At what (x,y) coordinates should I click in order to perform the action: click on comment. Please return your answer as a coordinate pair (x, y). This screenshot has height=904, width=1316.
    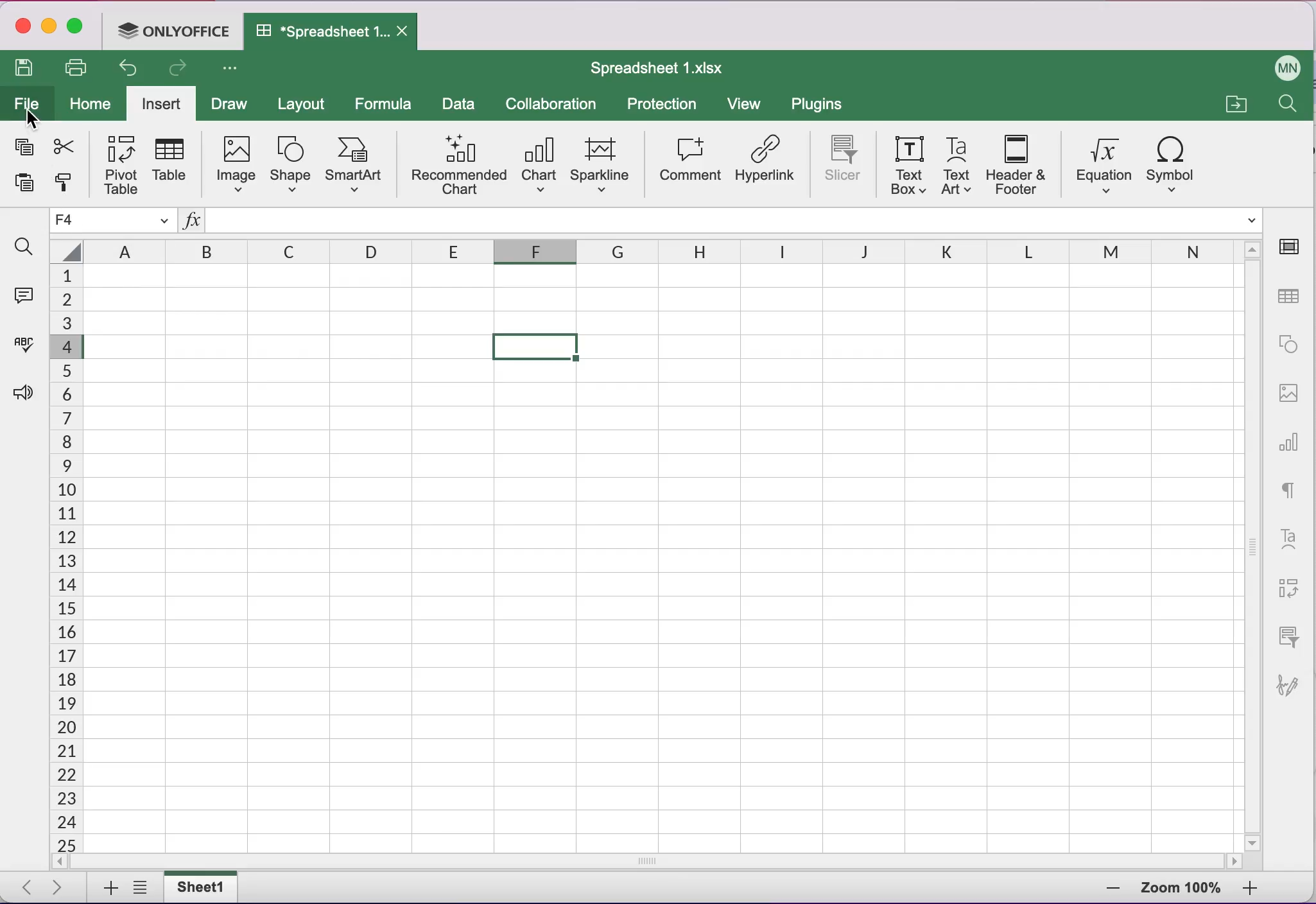
    Looking at the image, I should click on (689, 163).